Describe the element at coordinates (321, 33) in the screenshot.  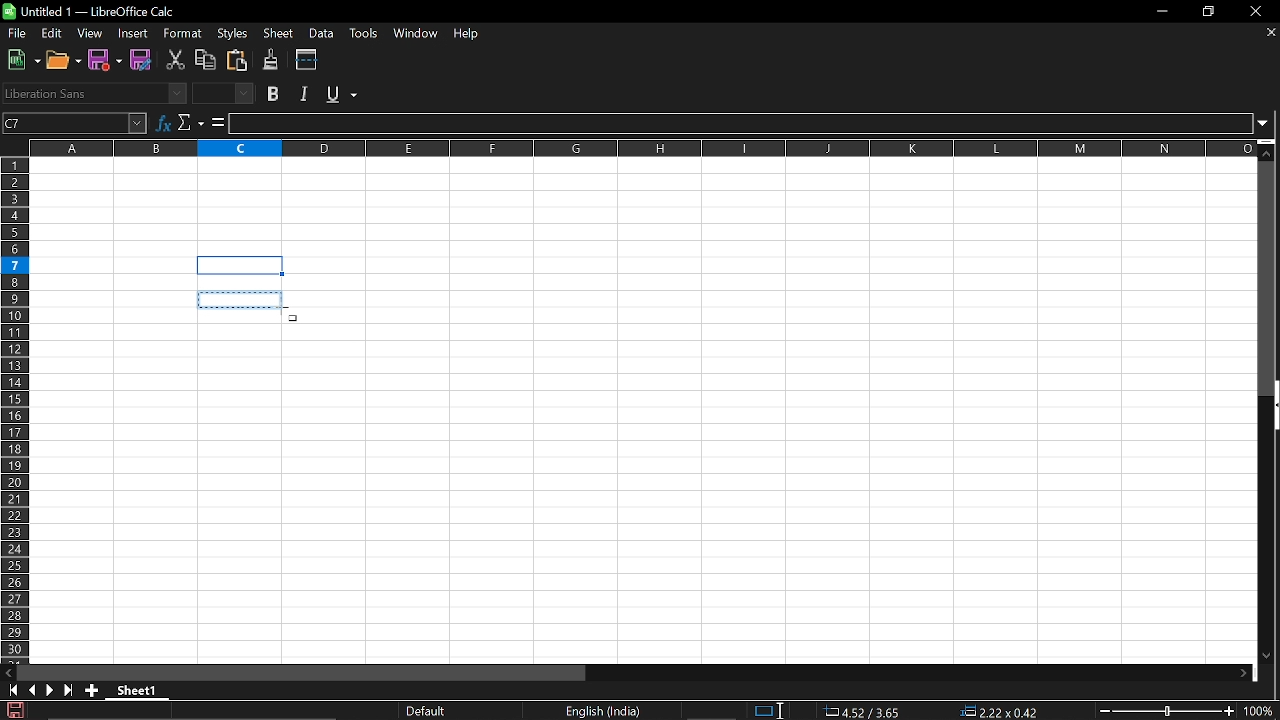
I see `Data` at that location.